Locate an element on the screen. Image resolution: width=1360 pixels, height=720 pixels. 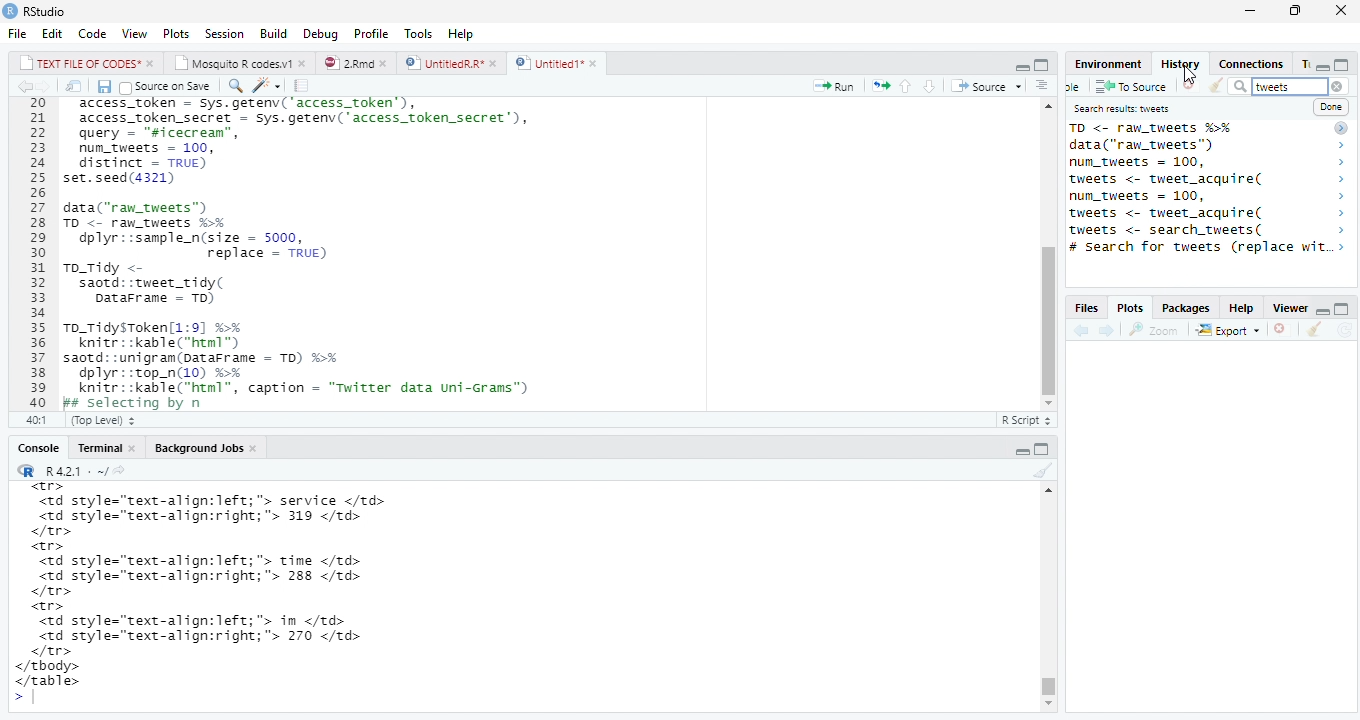
Teominal is located at coordinates (105, 445).